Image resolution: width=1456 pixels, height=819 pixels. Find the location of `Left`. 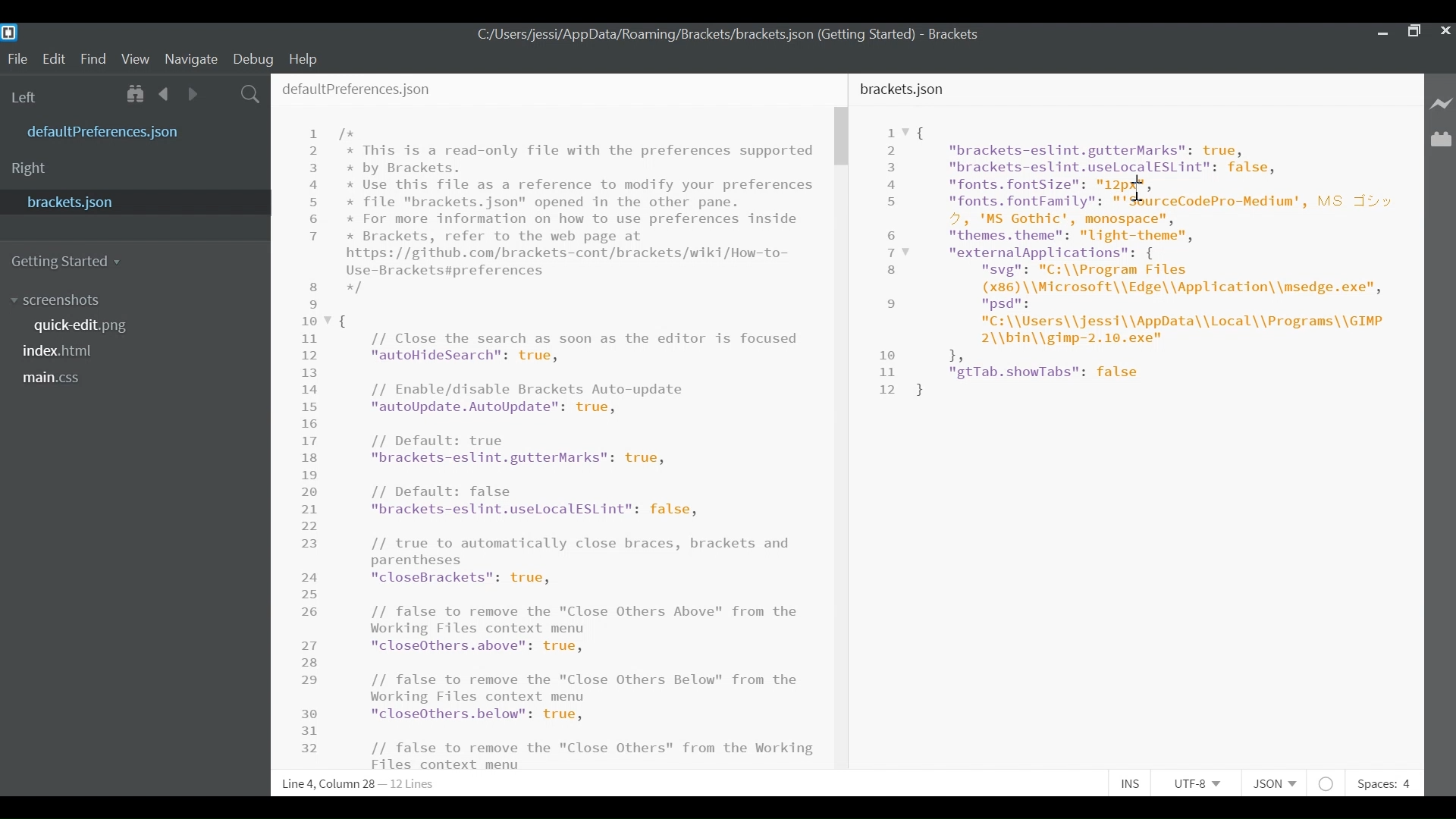

Left is located at coordinates (27, 98).